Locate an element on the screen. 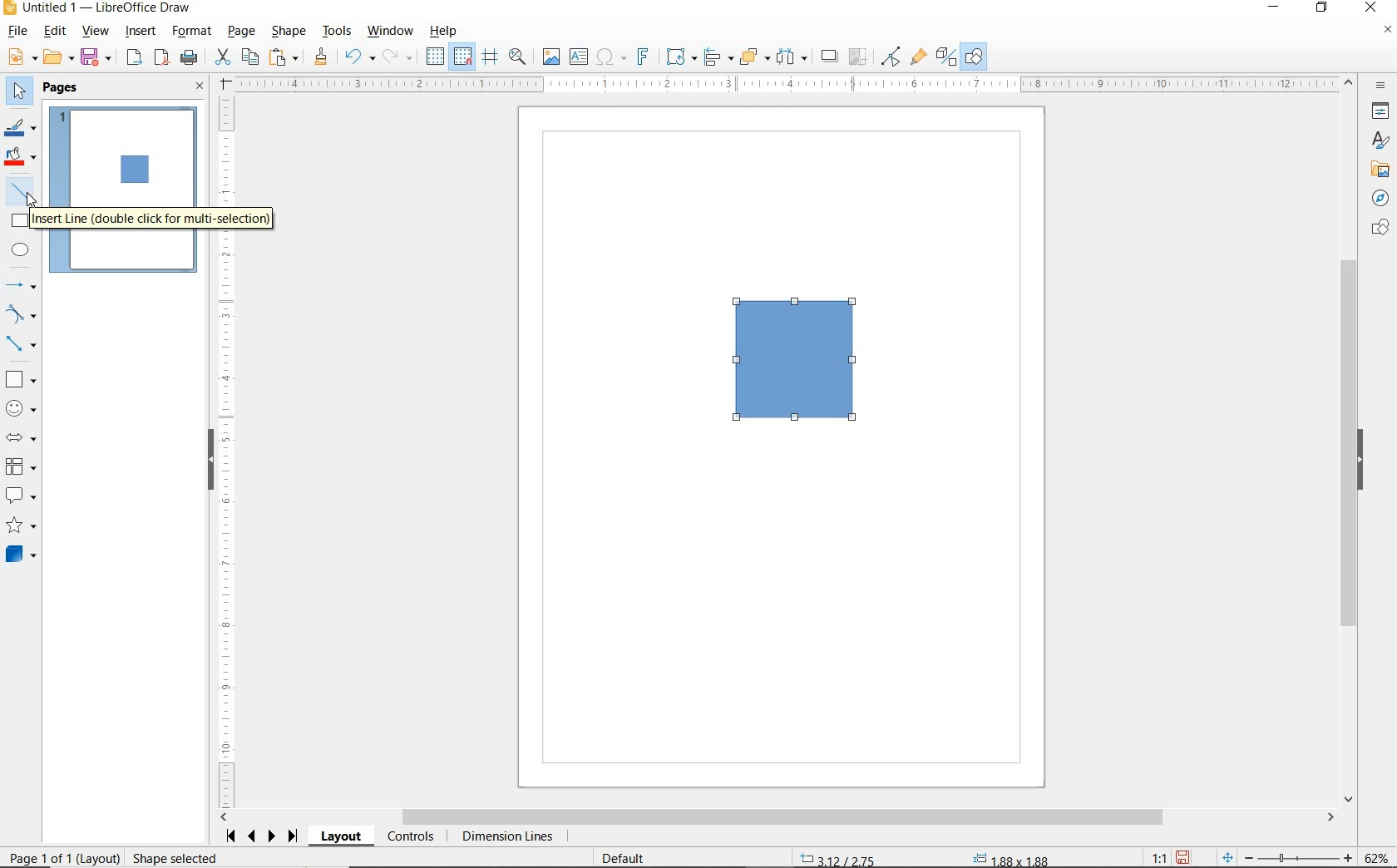 The width and height of the screenshot is (1397, 868). HELPLINES WHILE MOVING is located at coordinates (493, 59).